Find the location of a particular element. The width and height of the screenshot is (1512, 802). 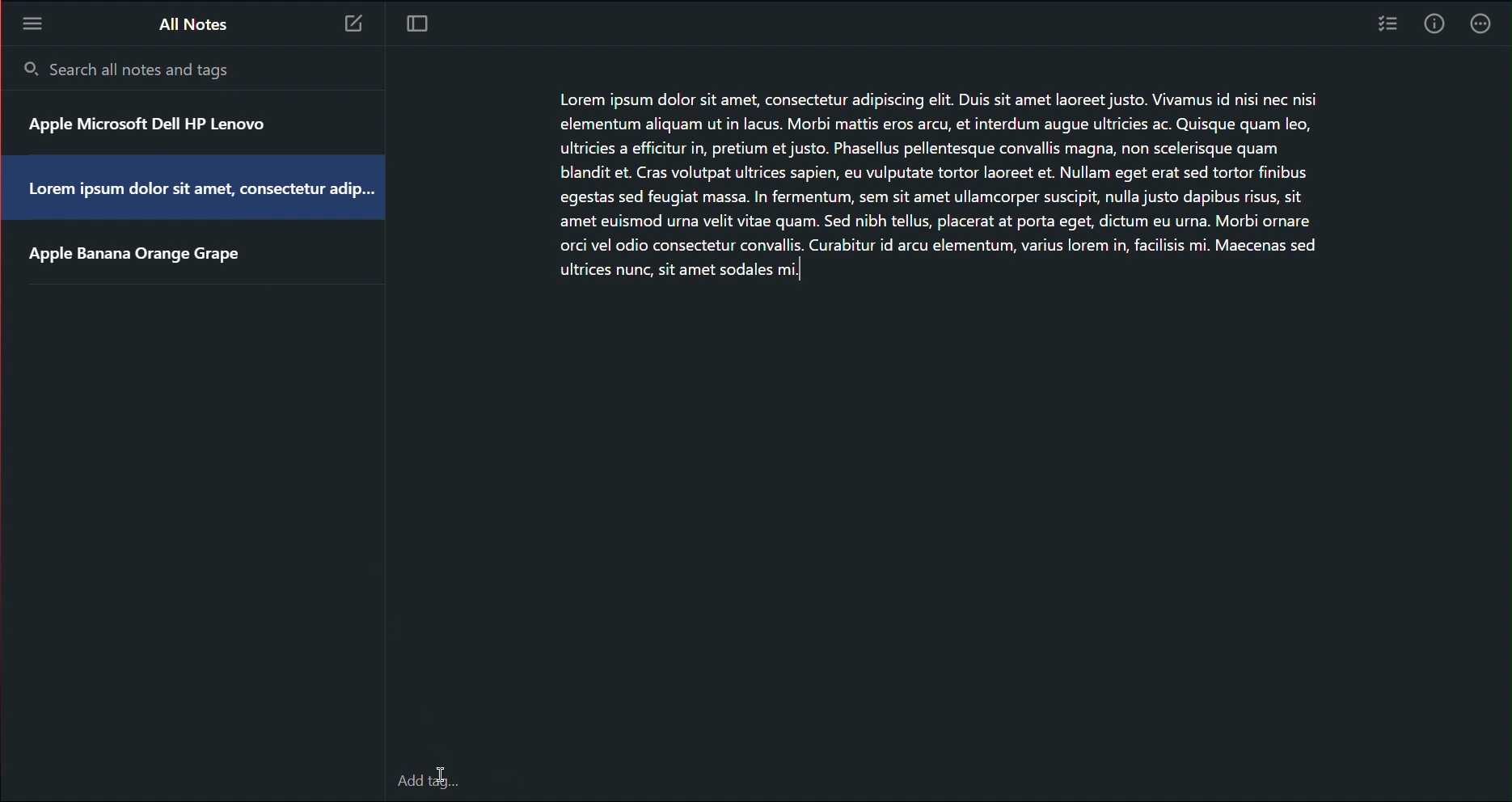

More is located at coordinates (1485, 27).